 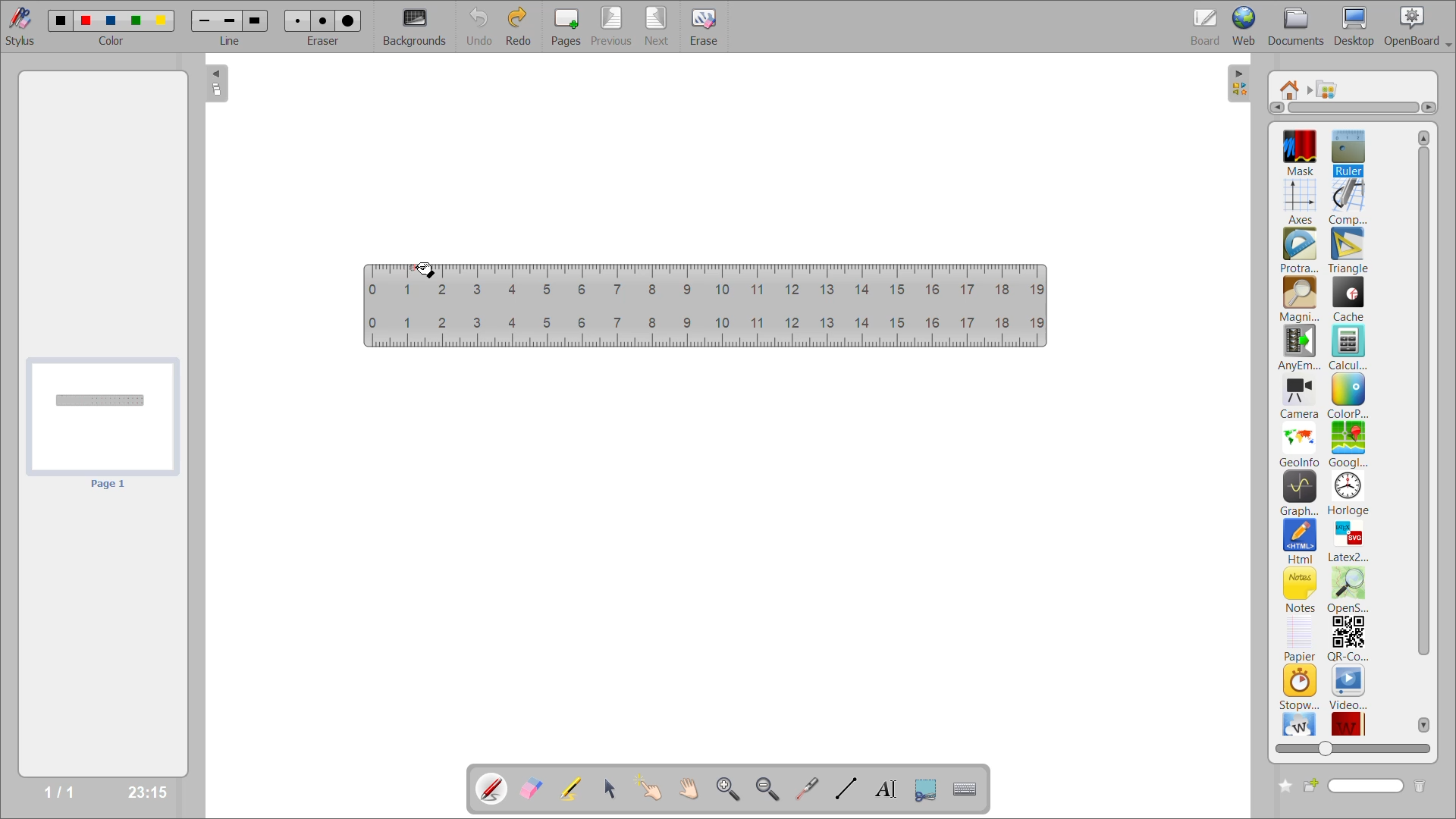 I want to click on compass, so click(x=1348, y=202).